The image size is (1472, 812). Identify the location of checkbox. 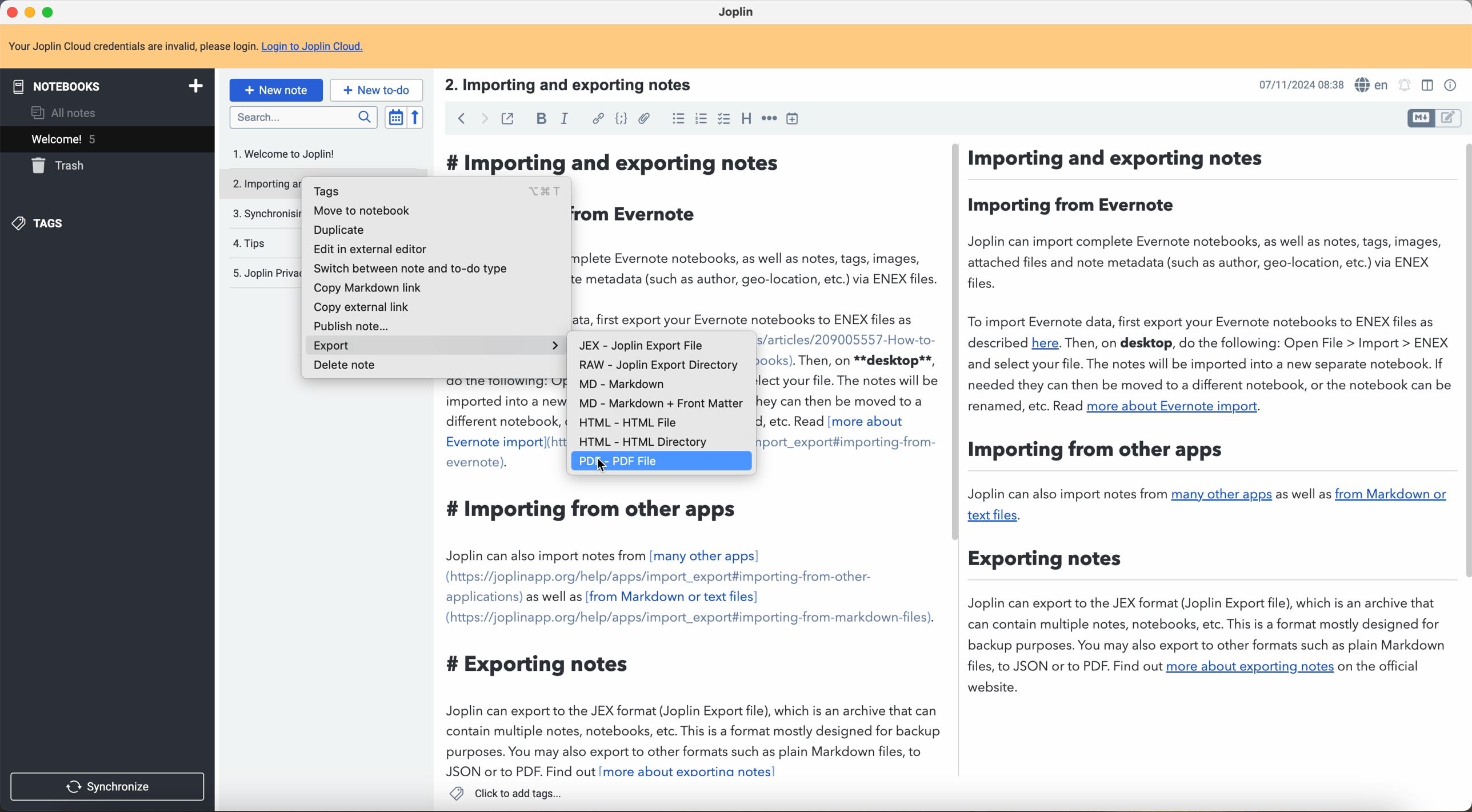
(724, 118).